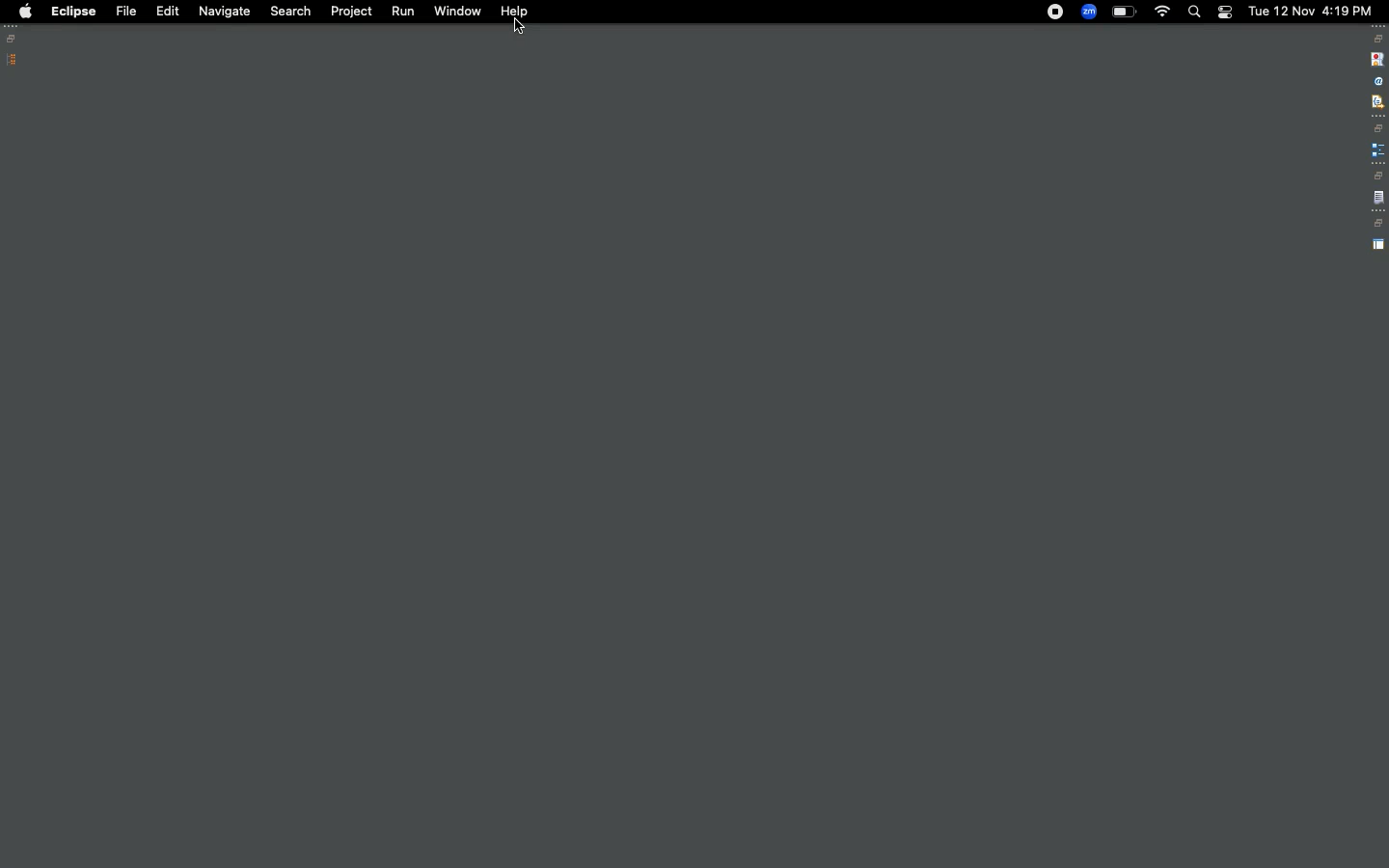 The height and width of the screenshot is (868, 1389). Describe the element at coordinates (1312, 10) in the screenshot. I see `Date/time` at that location.